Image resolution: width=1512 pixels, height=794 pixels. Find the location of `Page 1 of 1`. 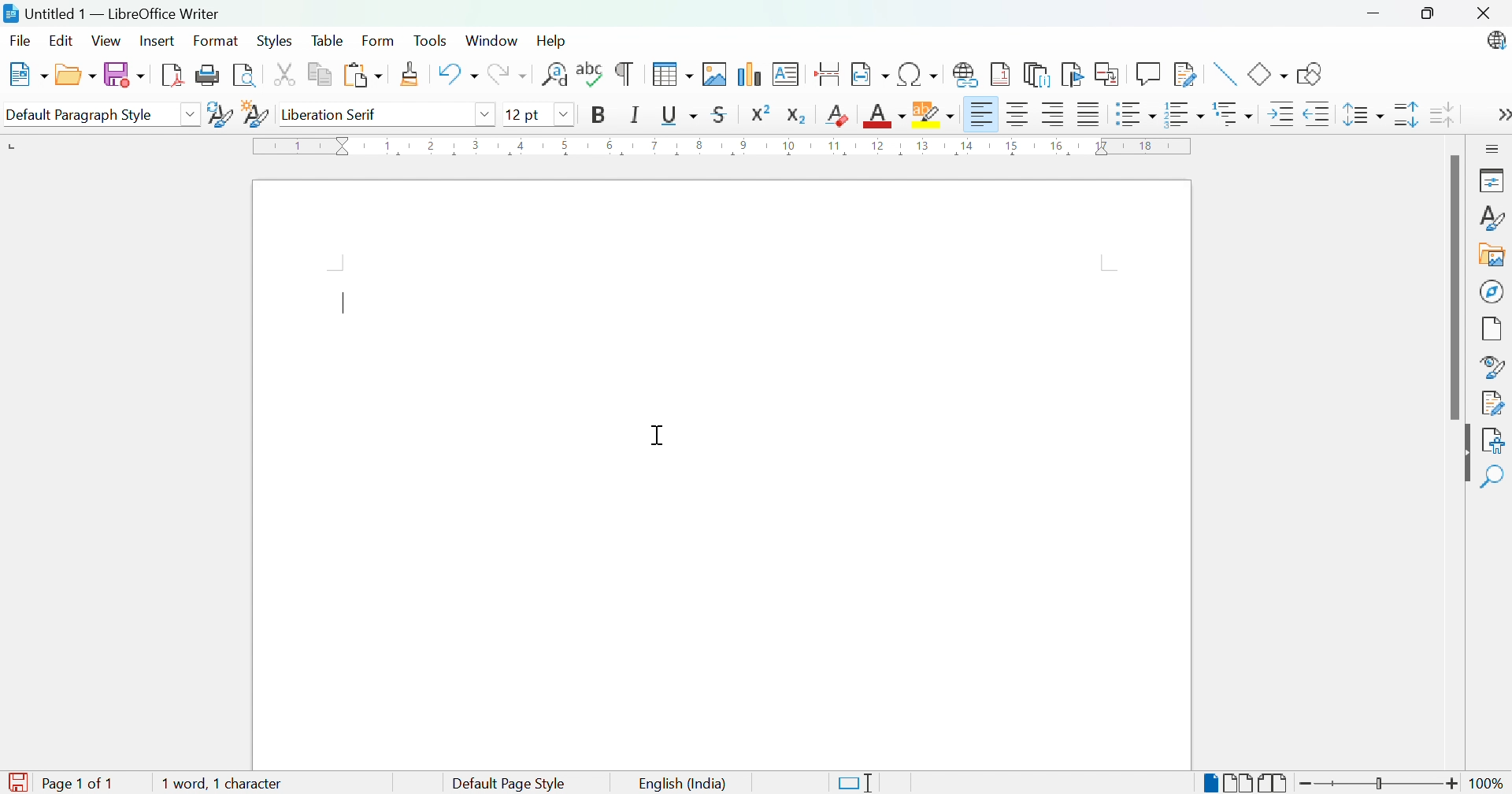

Page 1 of 1 is located at coordinates (60, 783).